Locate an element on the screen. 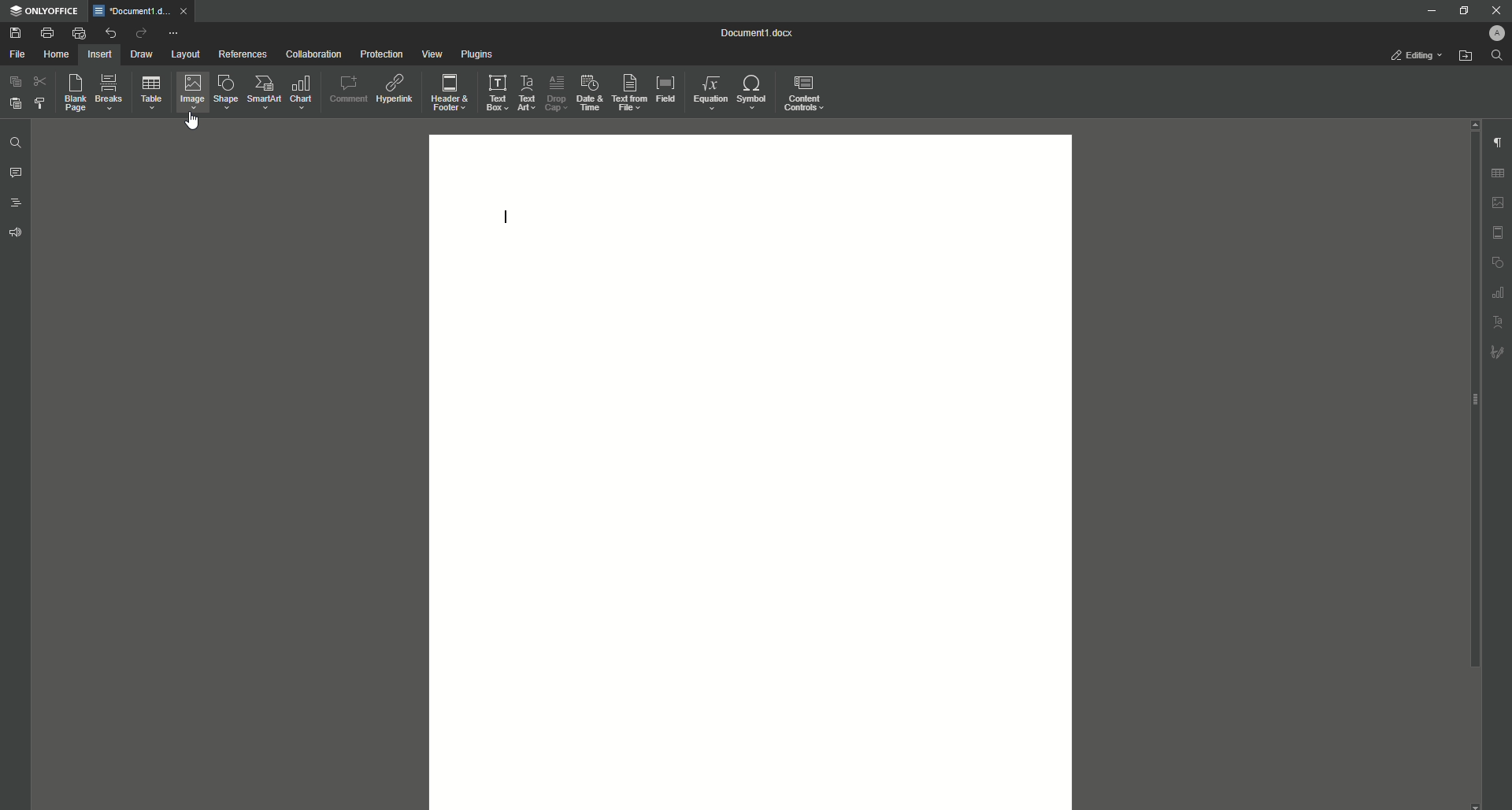 The width and height of the screenshot is (1512, 810). Close is located at coordinates (1493, 9).